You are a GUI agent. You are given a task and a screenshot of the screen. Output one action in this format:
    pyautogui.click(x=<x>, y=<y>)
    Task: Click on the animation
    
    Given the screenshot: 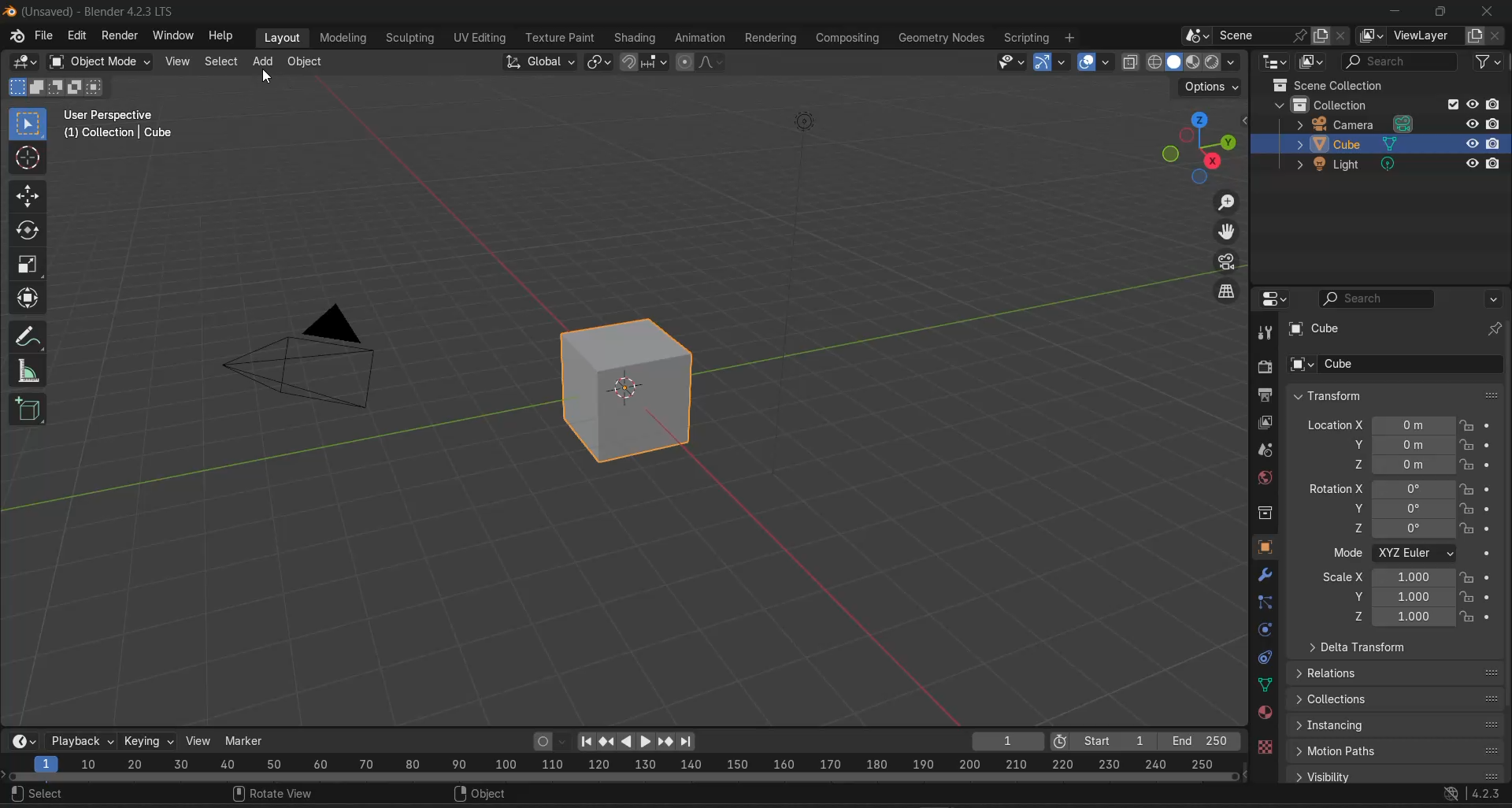 What is the action you would take?
    pyautogui.click(x=701, y=36)
    